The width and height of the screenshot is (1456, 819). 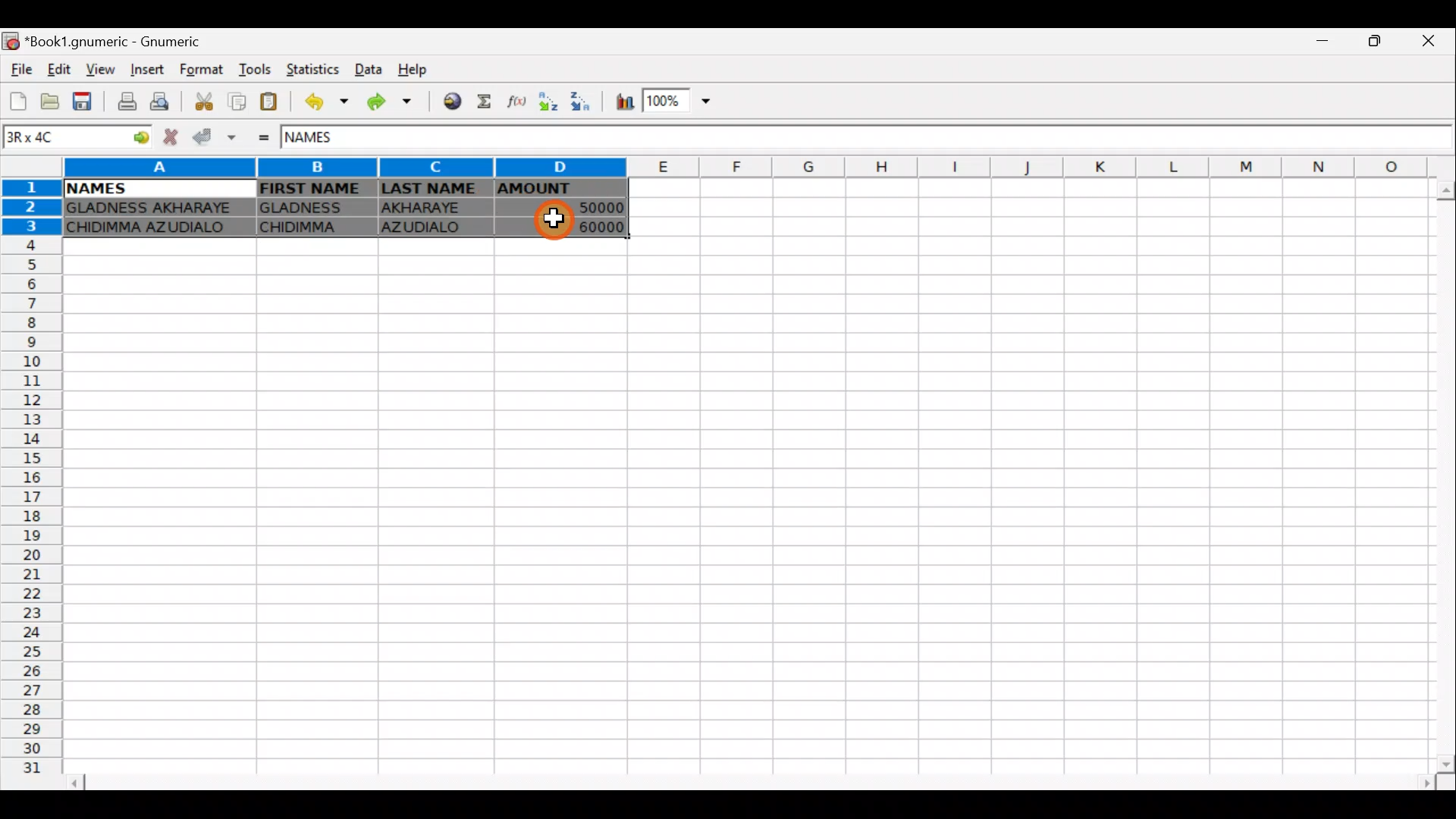 I want to click on CHIDIMMA AZUDIALO, so click(x=153, y=229).